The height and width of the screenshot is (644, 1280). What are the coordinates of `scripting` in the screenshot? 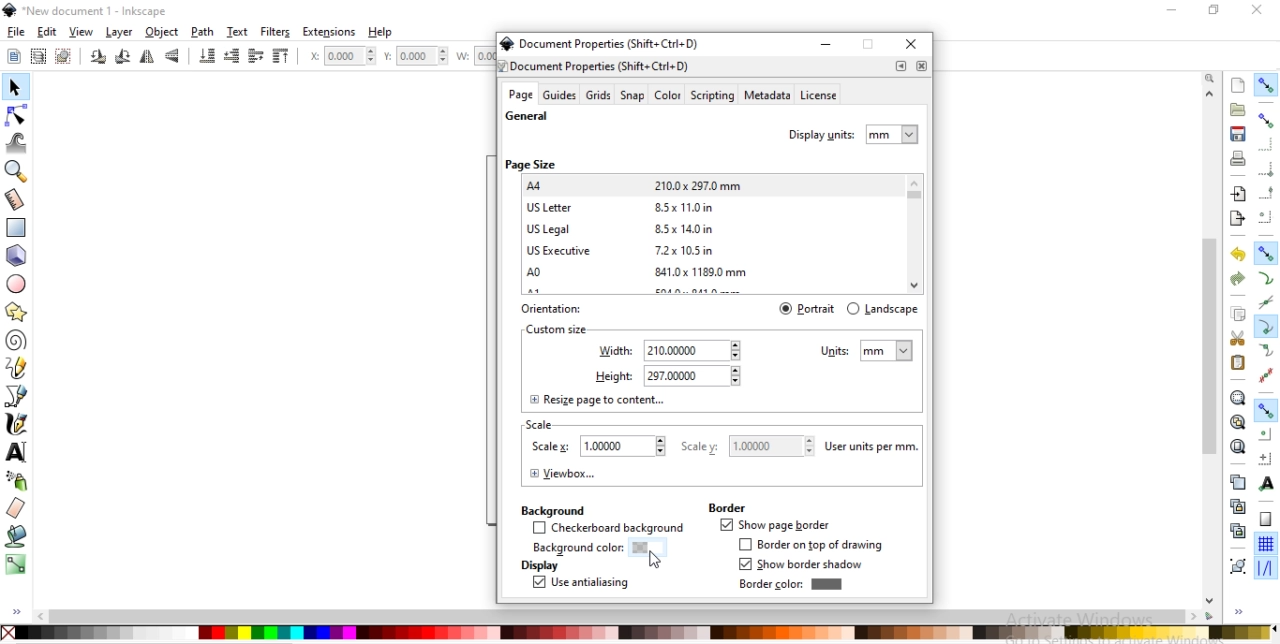 It's located at (711, 96).